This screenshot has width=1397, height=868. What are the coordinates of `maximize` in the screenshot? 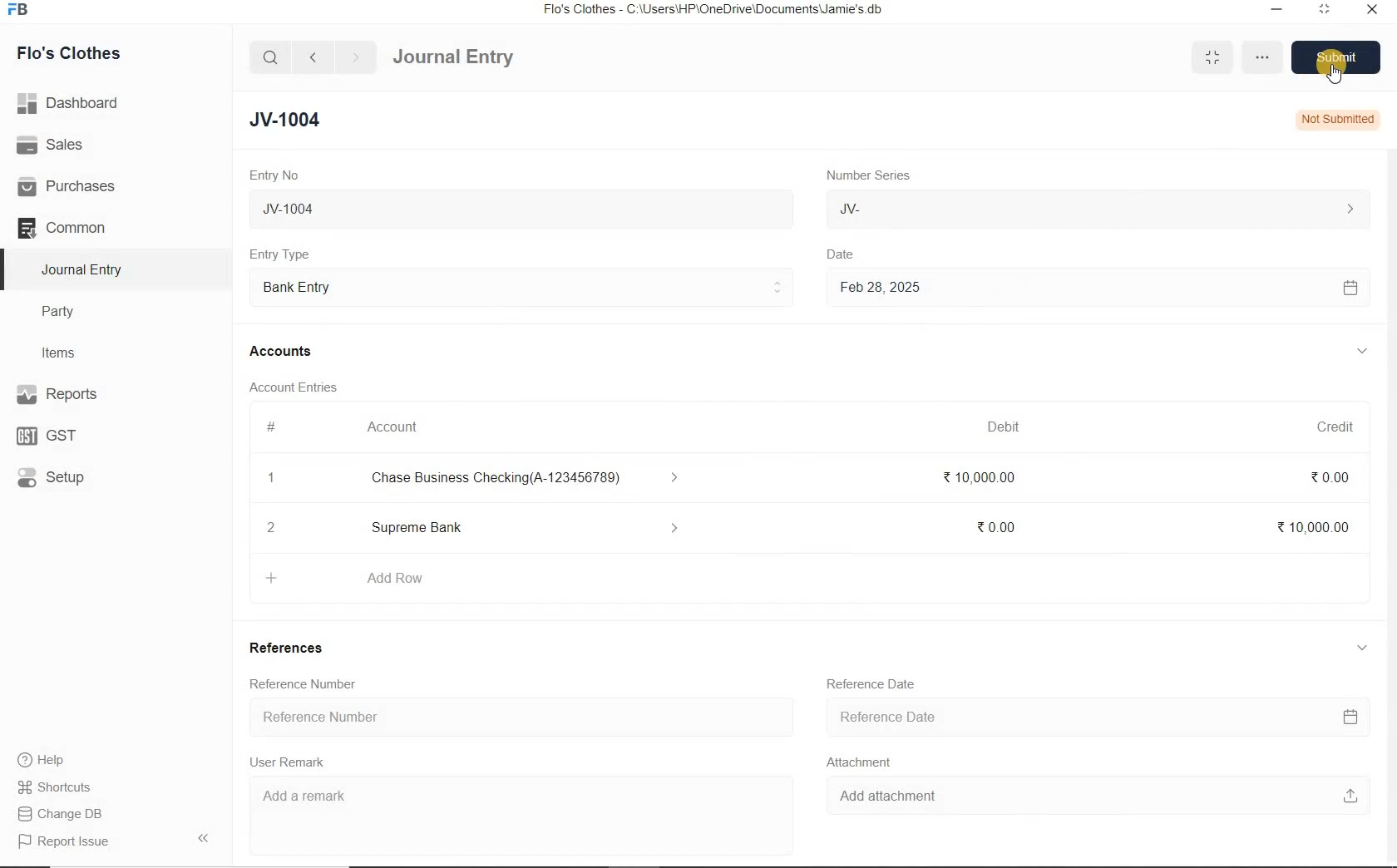 It's located at (1325, 8).